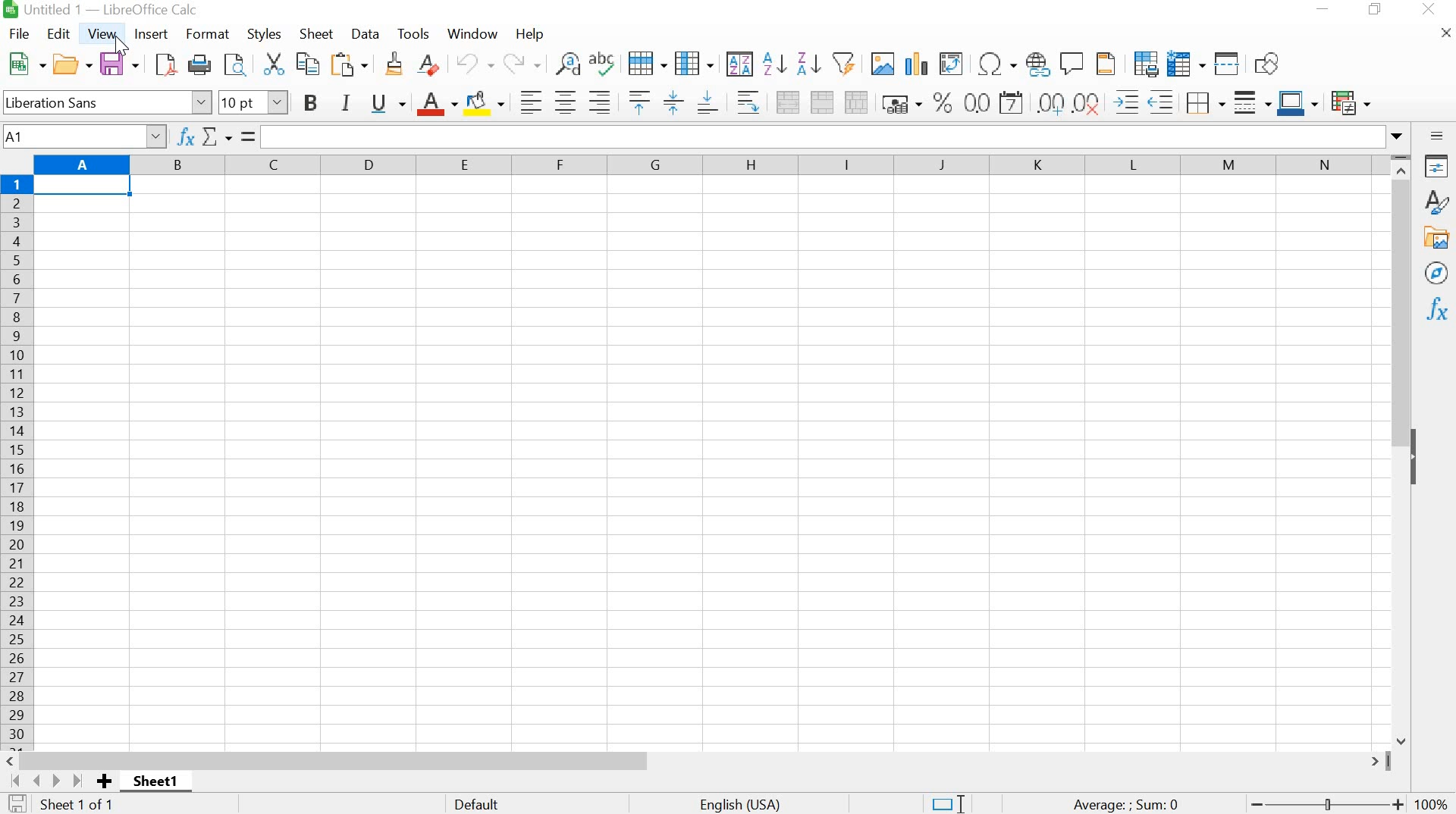 This screenshot has height=814, width=1456. I want to click on ALIGN LEFT, so click(528, 101).